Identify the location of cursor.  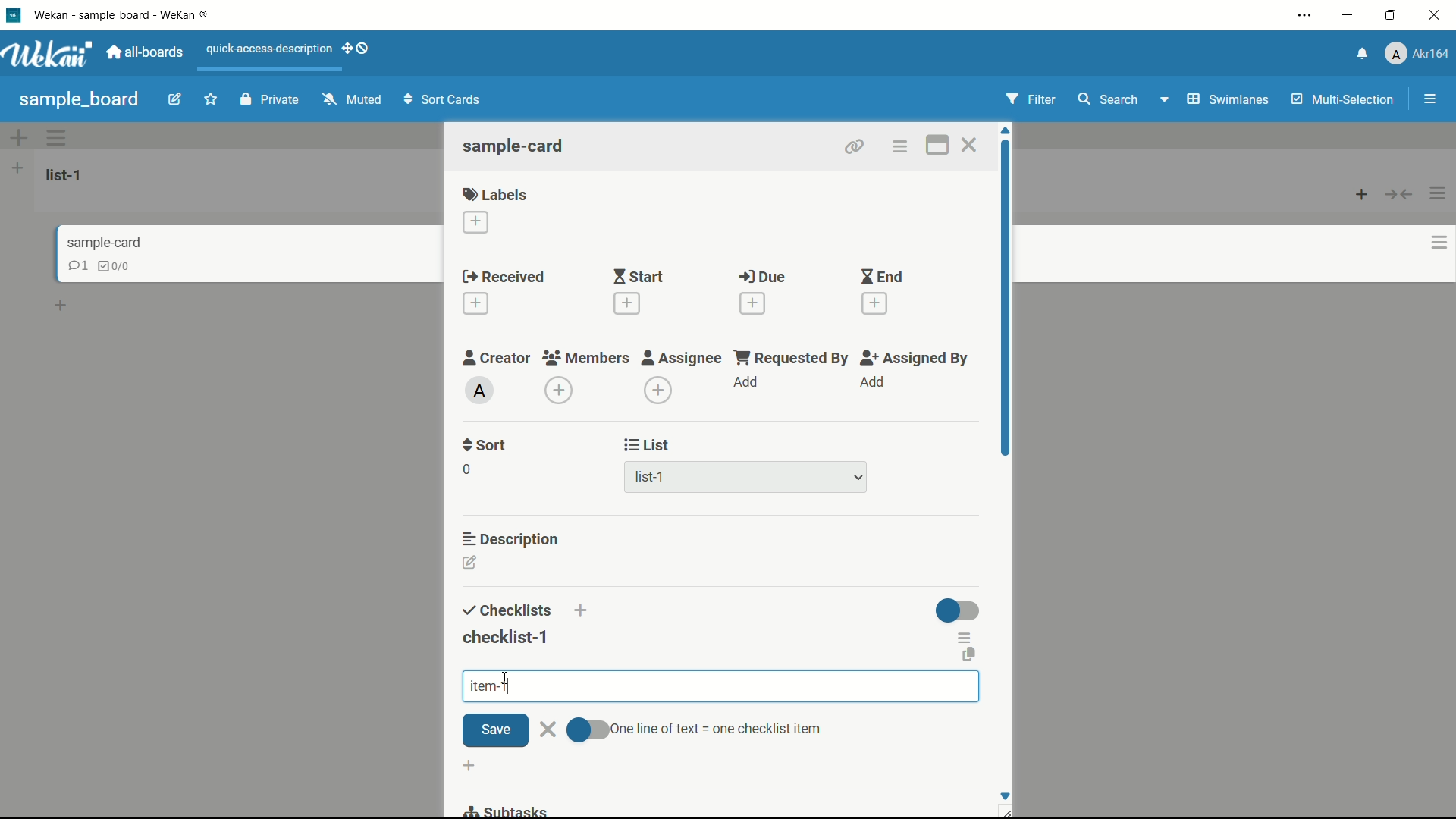
(507, 676).